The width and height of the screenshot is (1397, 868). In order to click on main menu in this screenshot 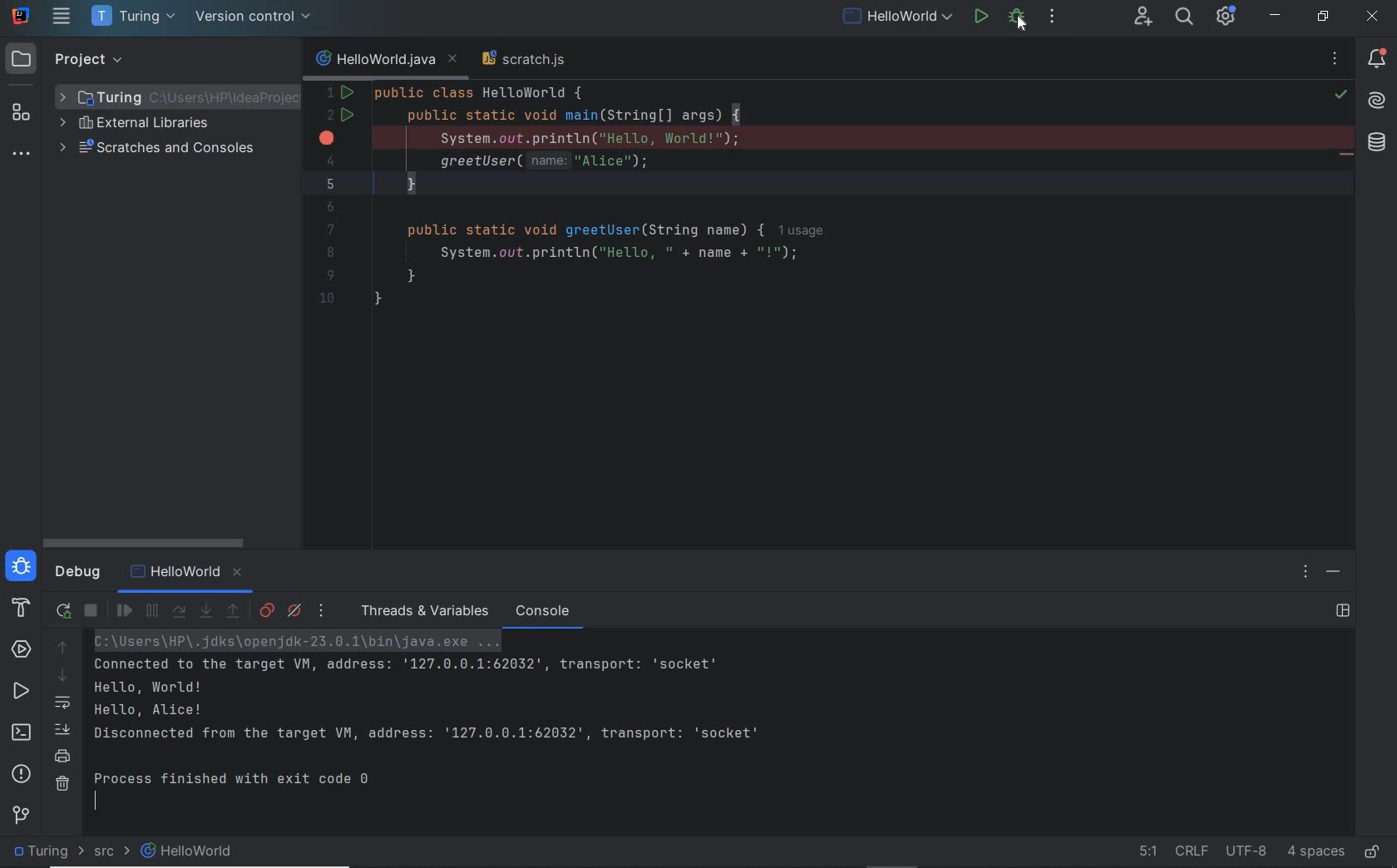, I will do `click(63, 18)`.